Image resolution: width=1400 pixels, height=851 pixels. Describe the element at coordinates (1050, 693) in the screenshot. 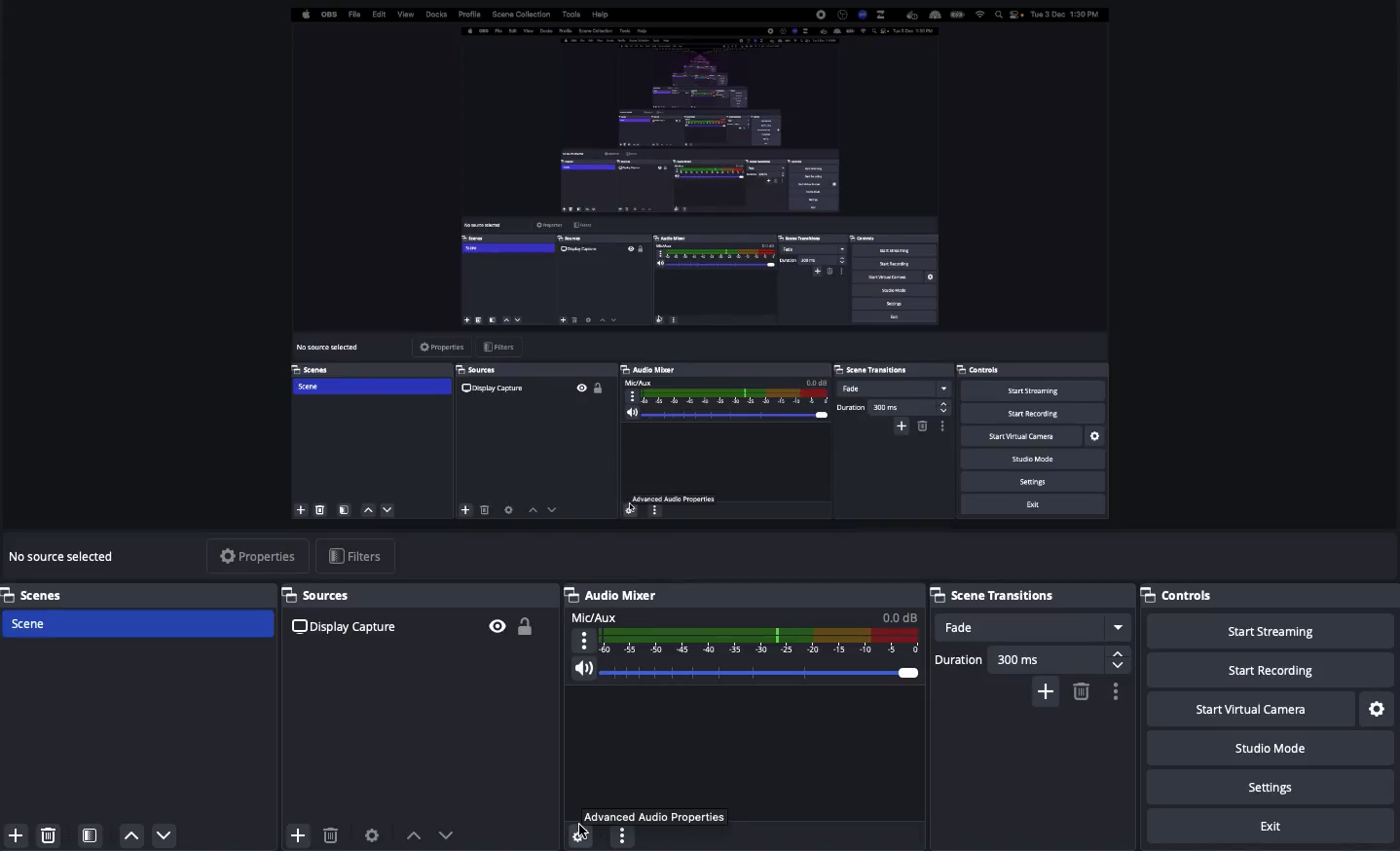

I see `Add` at that location.